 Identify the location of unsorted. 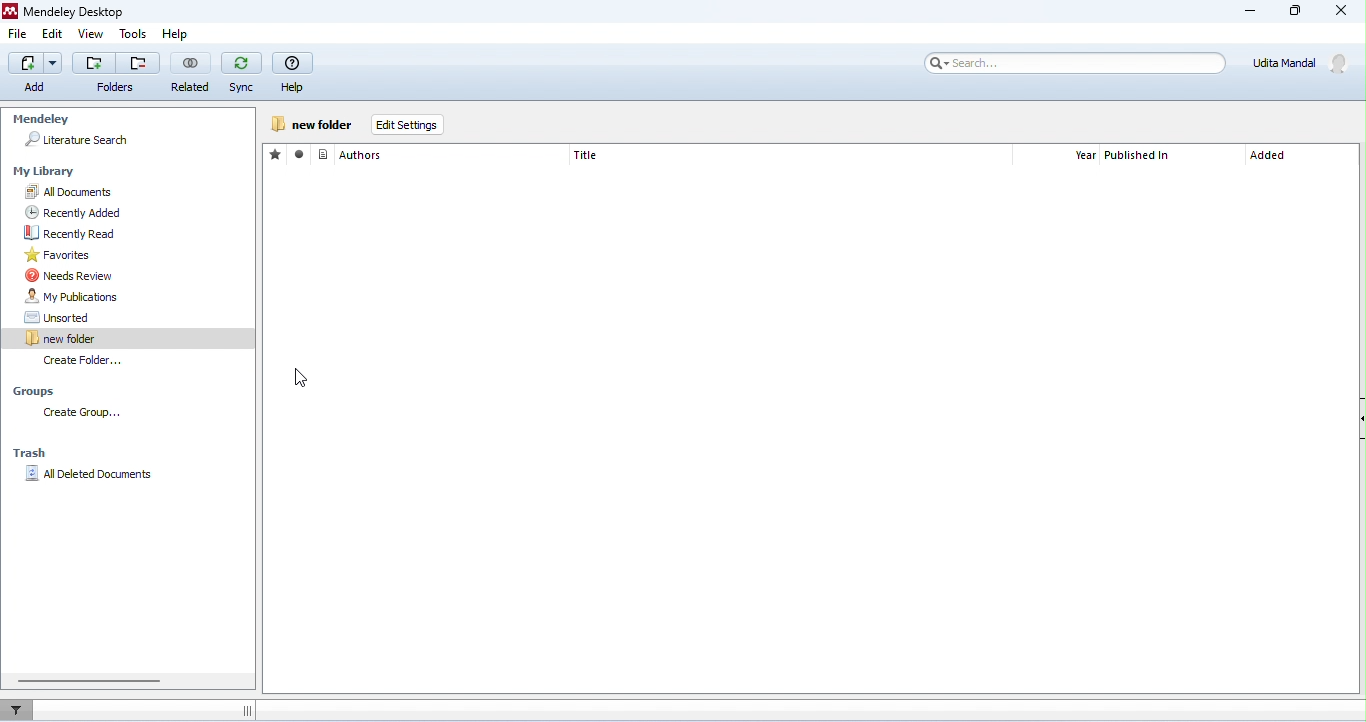
(137, 317).